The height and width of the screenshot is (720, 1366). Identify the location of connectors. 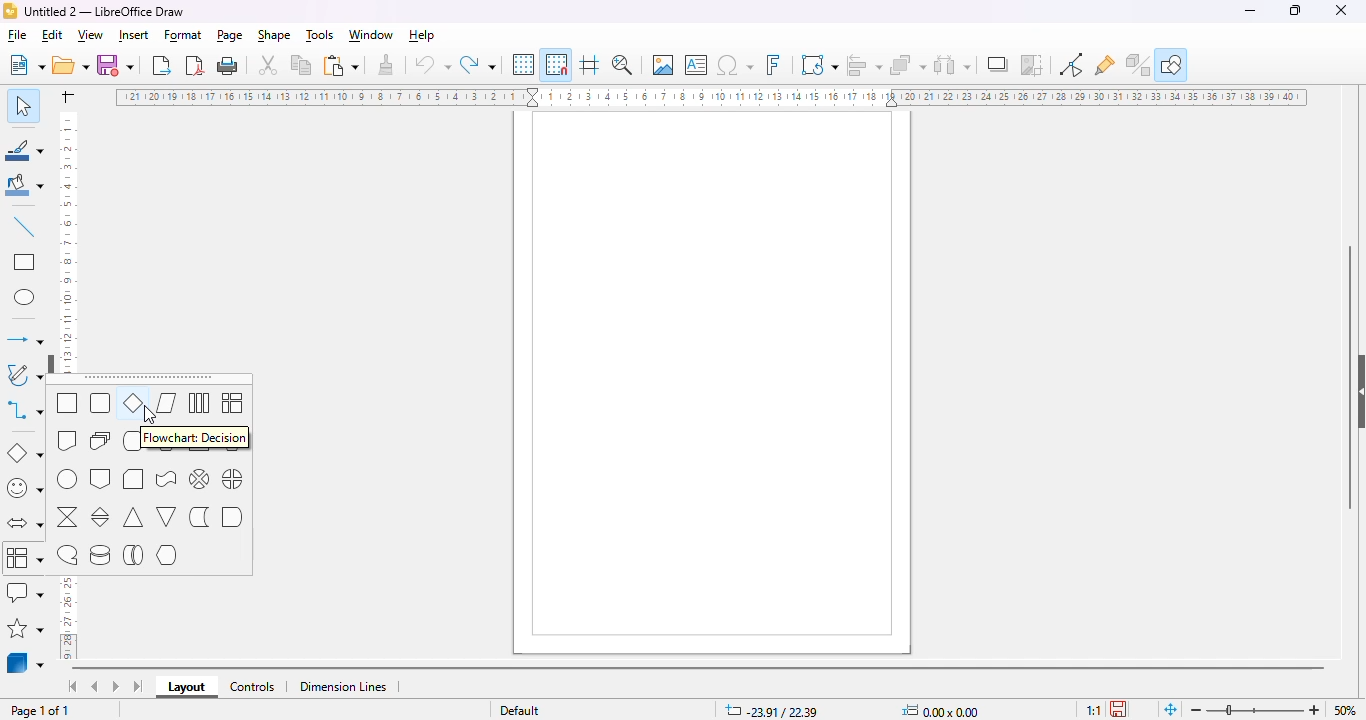
(25, 411).